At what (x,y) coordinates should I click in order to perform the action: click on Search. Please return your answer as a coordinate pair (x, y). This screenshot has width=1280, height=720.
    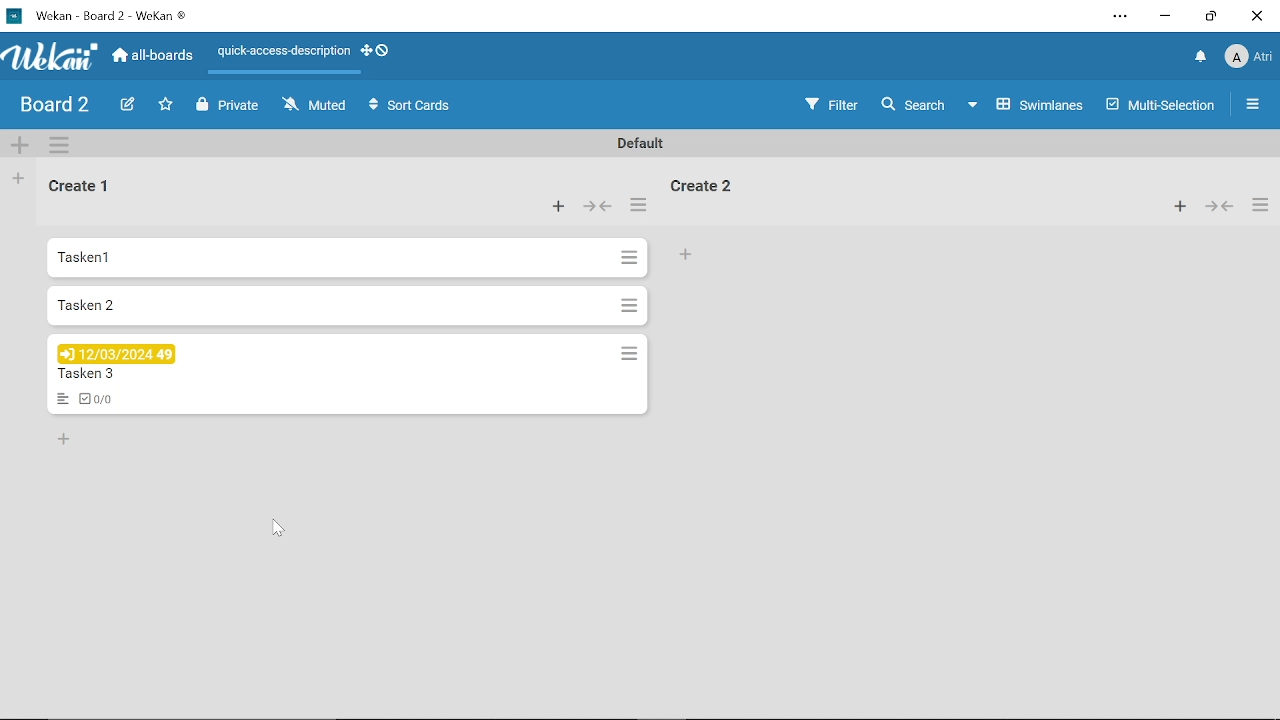
    Looking at the image, I should click on (925, 103).